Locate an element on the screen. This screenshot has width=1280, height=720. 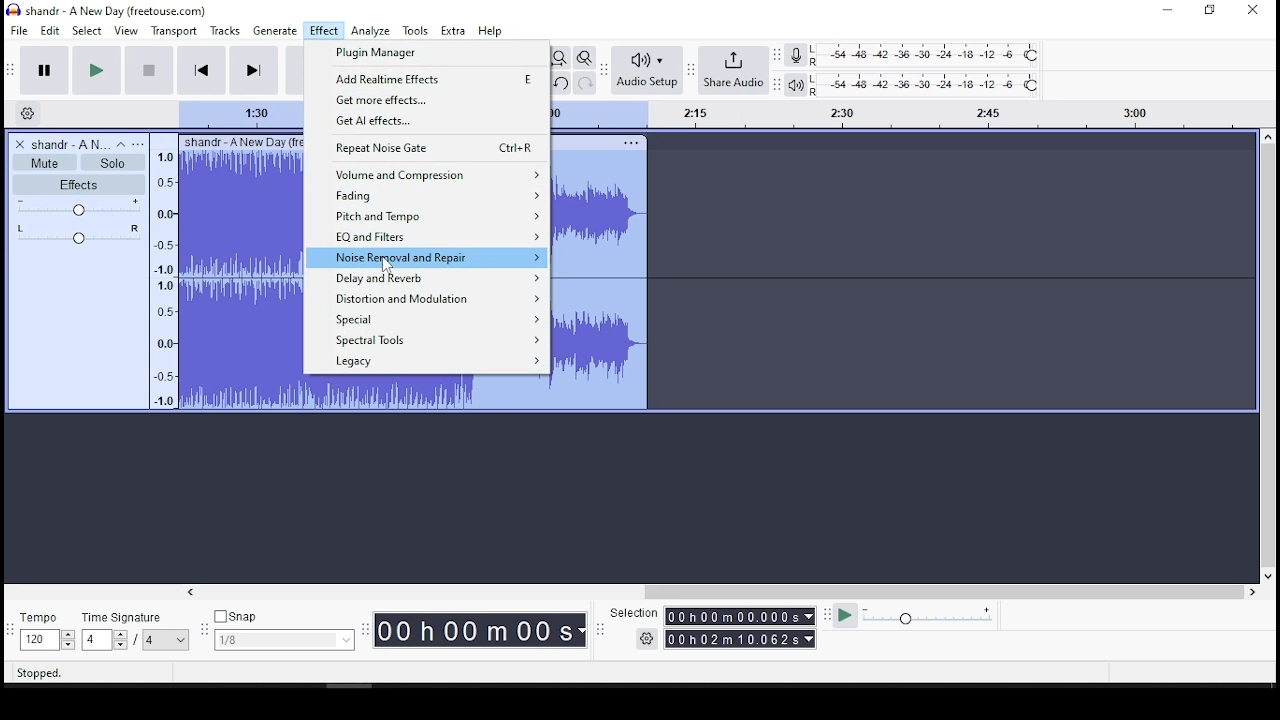
audio name is located at coordinates (70, 143).